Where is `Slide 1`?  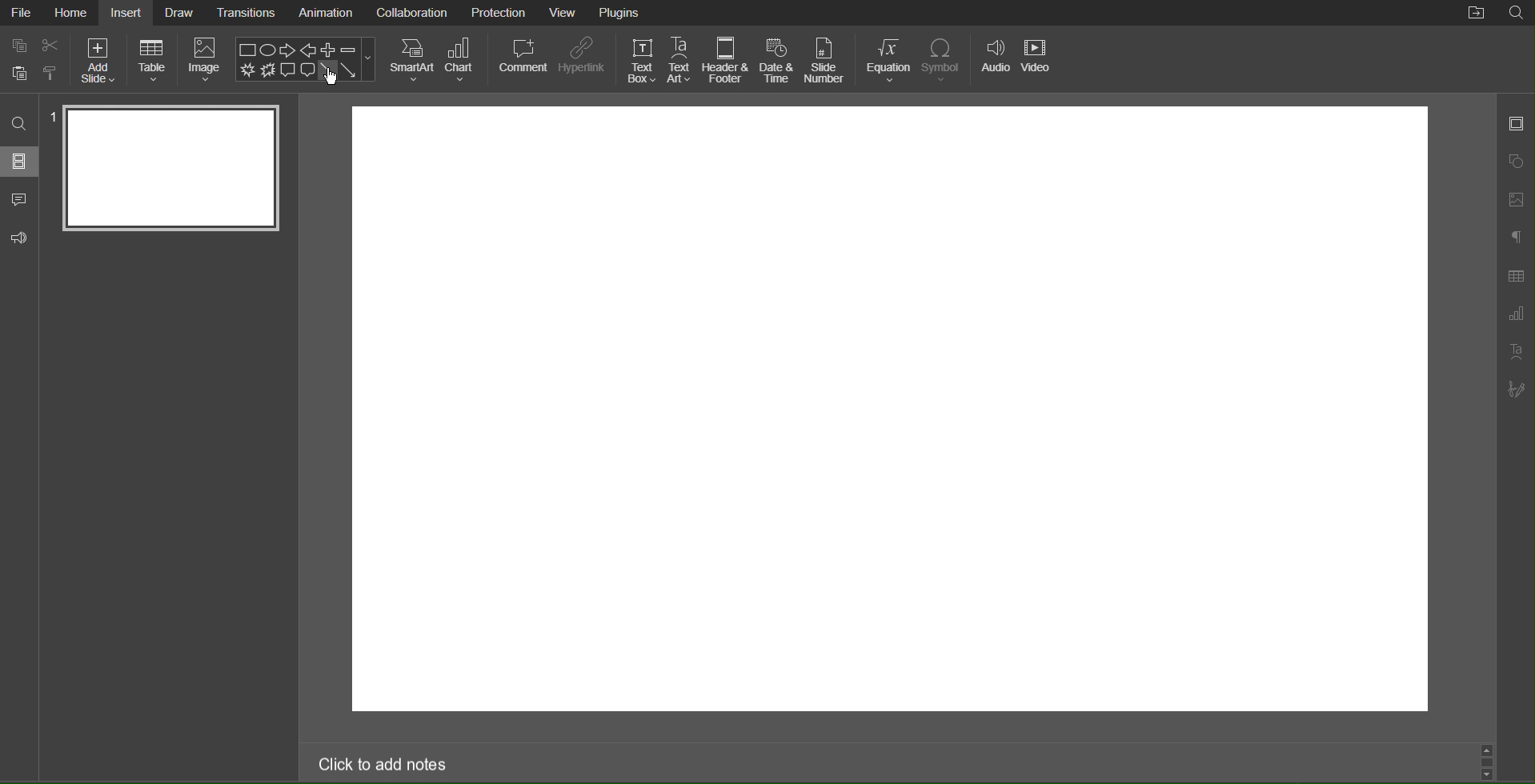 Slide 1 is located at coordinates (170, 169).